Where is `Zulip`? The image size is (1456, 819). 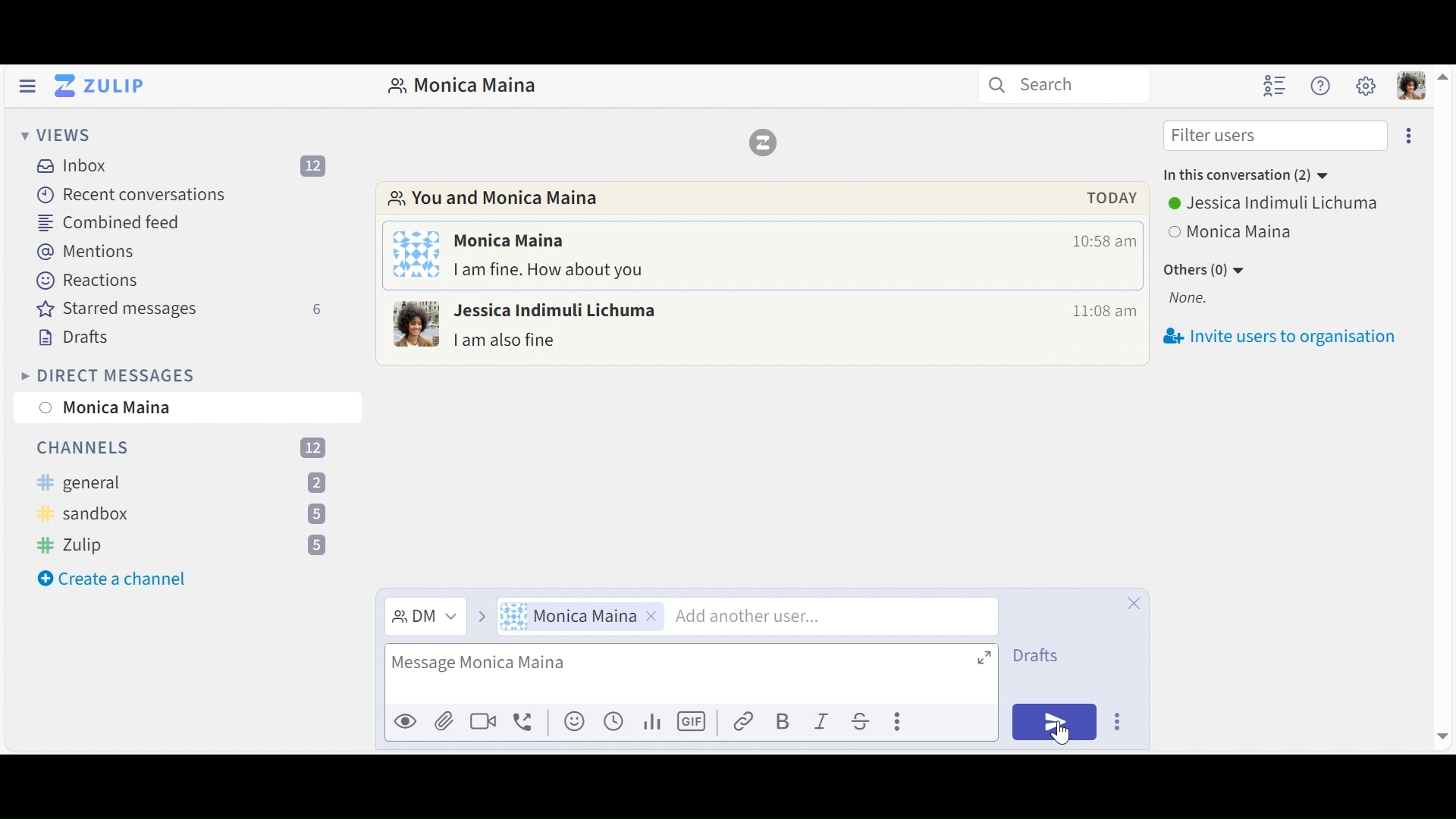
Zulip is located at coordinates (761, 142).